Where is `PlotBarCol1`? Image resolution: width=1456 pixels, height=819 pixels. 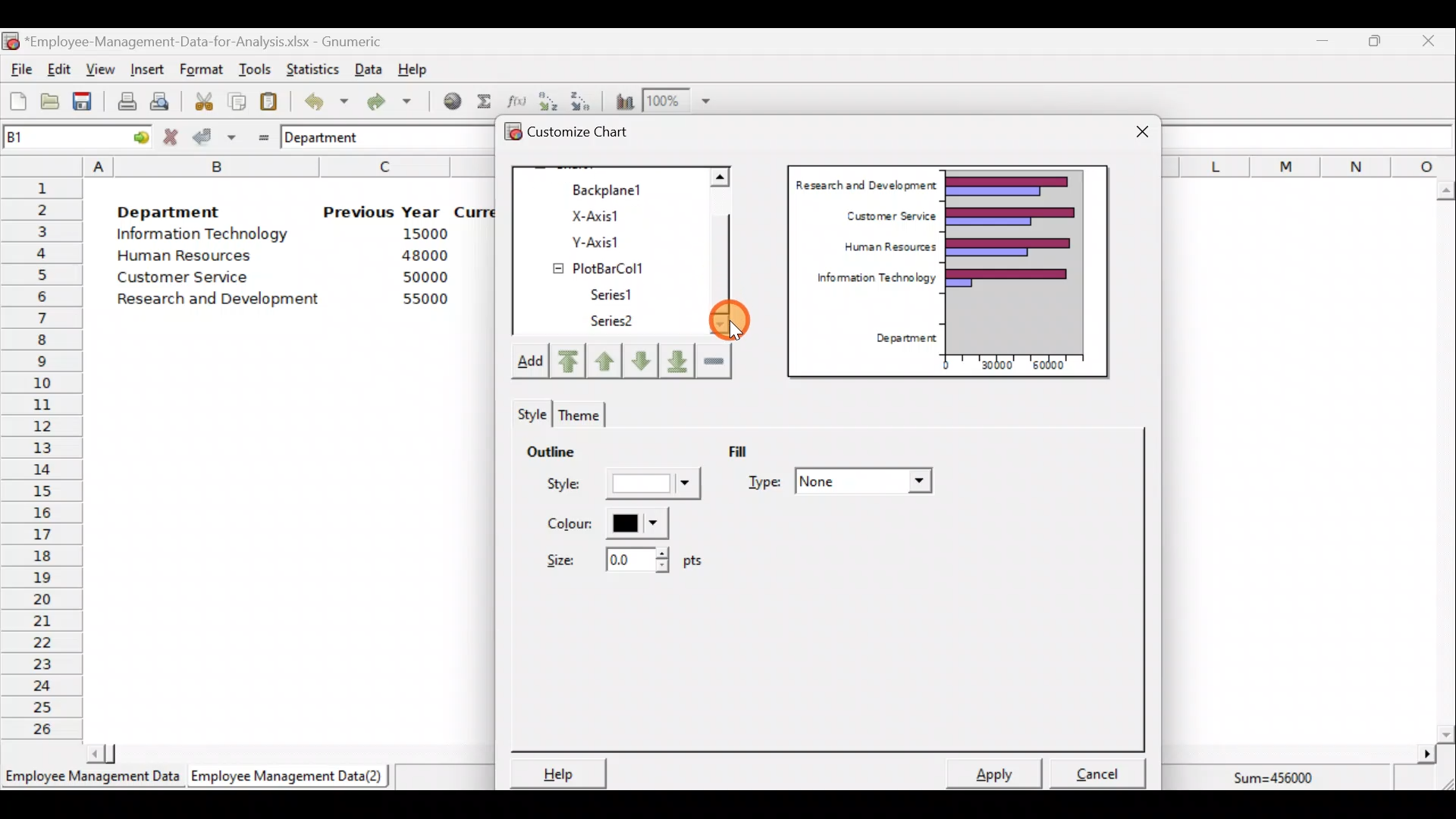
PlotBarCol1 is located at coordinates (612, 265).